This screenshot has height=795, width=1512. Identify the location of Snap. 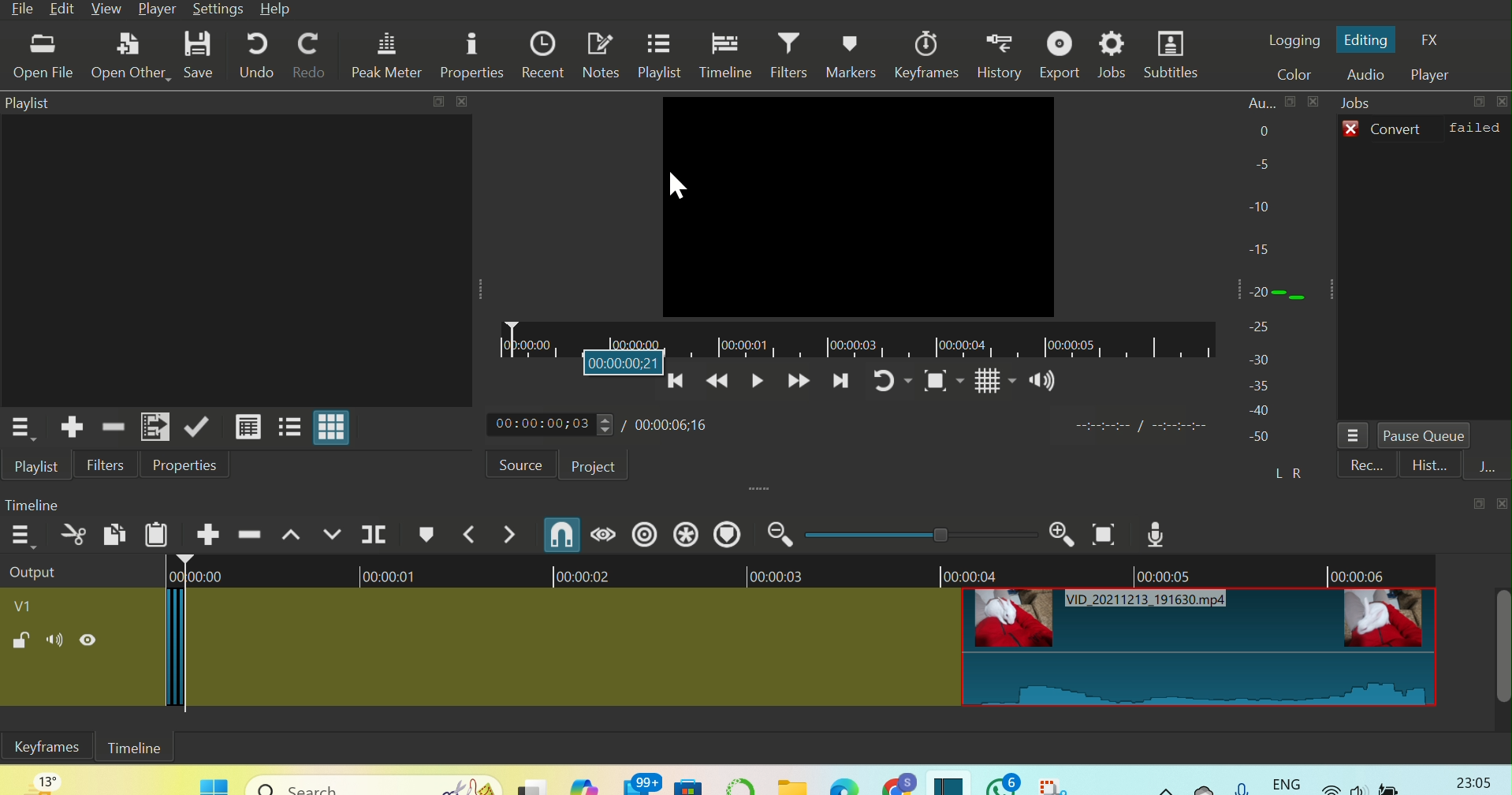
(557, 535).